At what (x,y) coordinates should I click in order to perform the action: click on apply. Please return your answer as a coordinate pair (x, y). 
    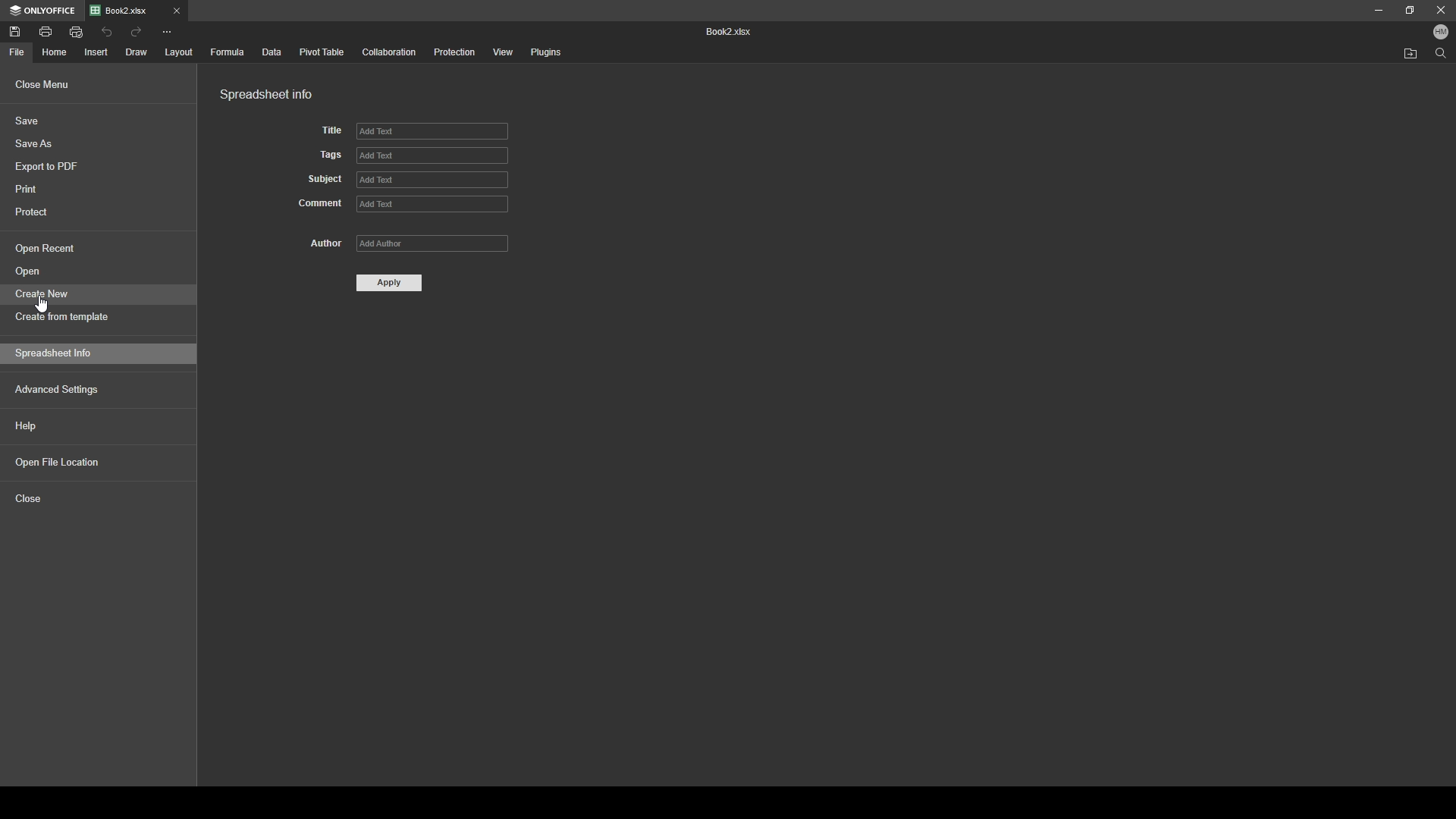
    Looking at the image, I should click on (391, 283).